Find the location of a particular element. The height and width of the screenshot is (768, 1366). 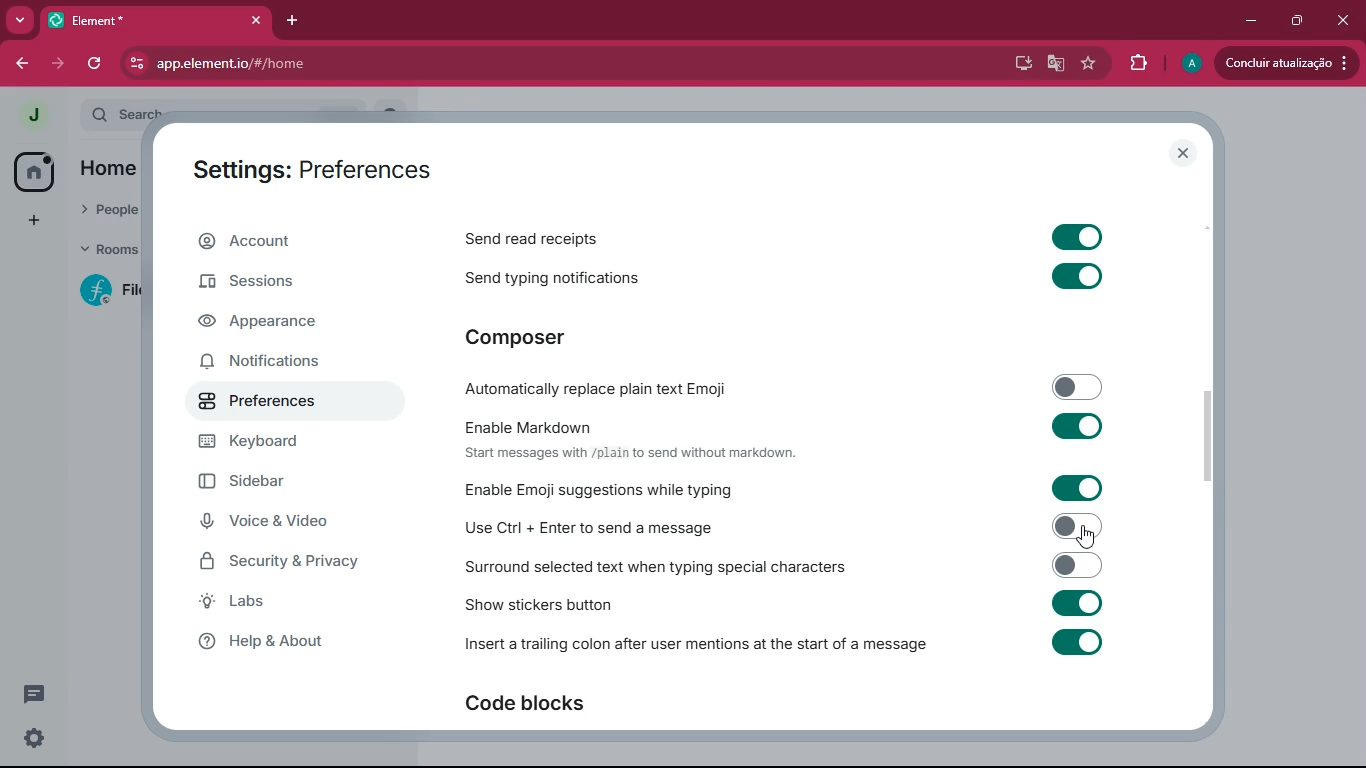

comments is located at coordinates (37, 691).